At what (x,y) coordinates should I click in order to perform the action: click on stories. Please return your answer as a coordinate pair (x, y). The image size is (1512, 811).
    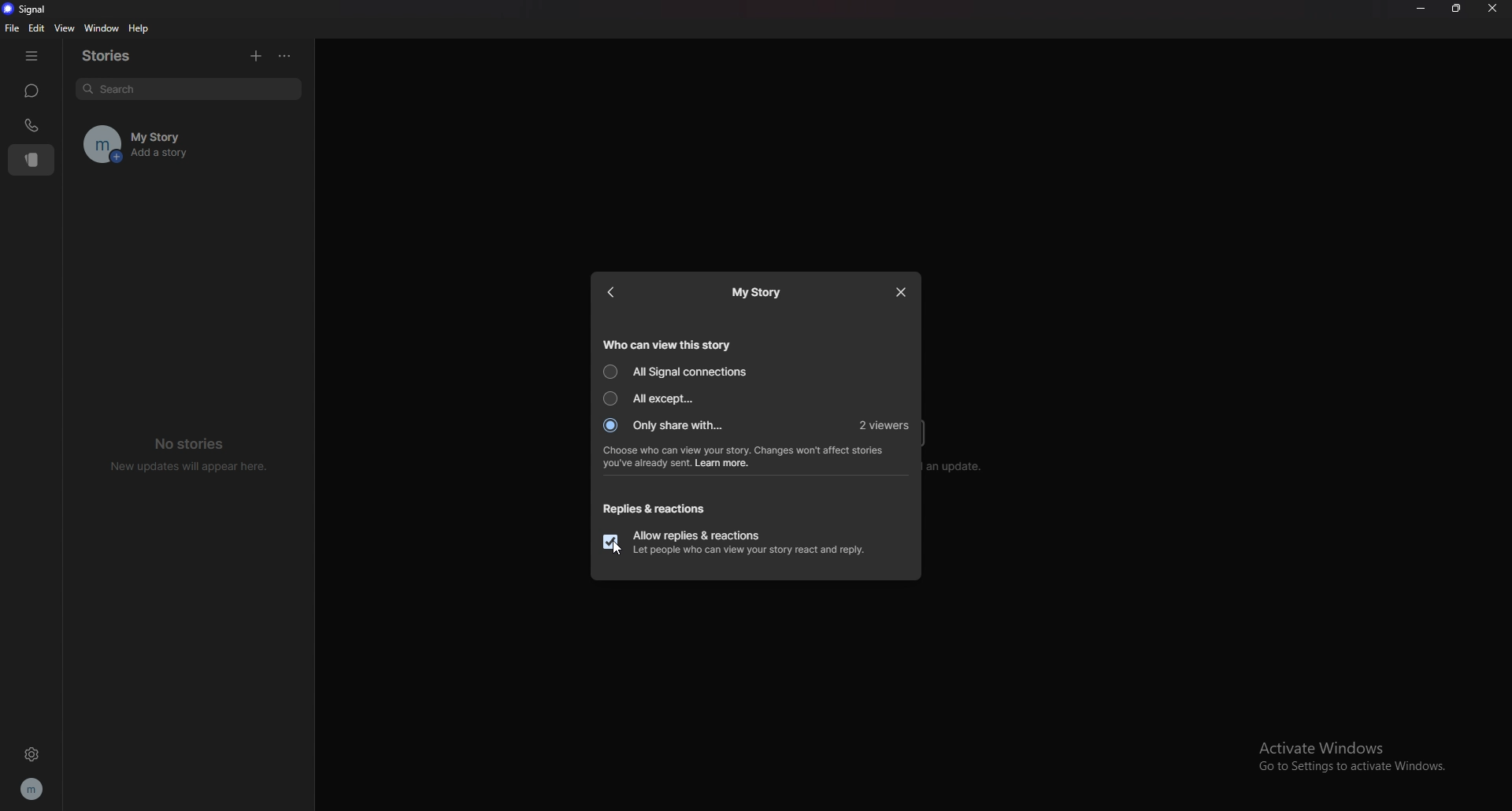
    Looking at the image, I should click on (117, 54).